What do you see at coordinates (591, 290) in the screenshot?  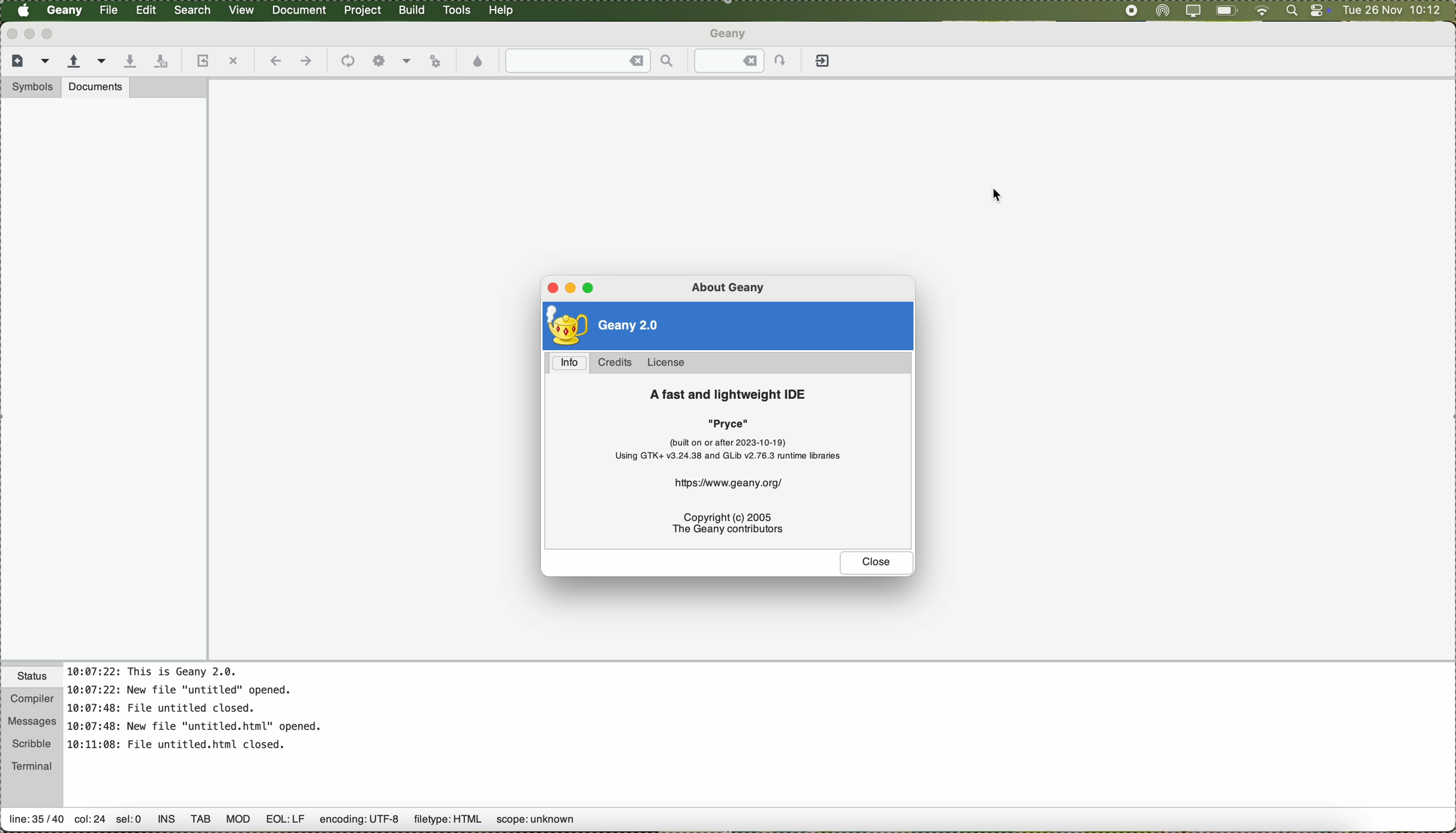 I see `maximize` at bounding box center [591, 290].